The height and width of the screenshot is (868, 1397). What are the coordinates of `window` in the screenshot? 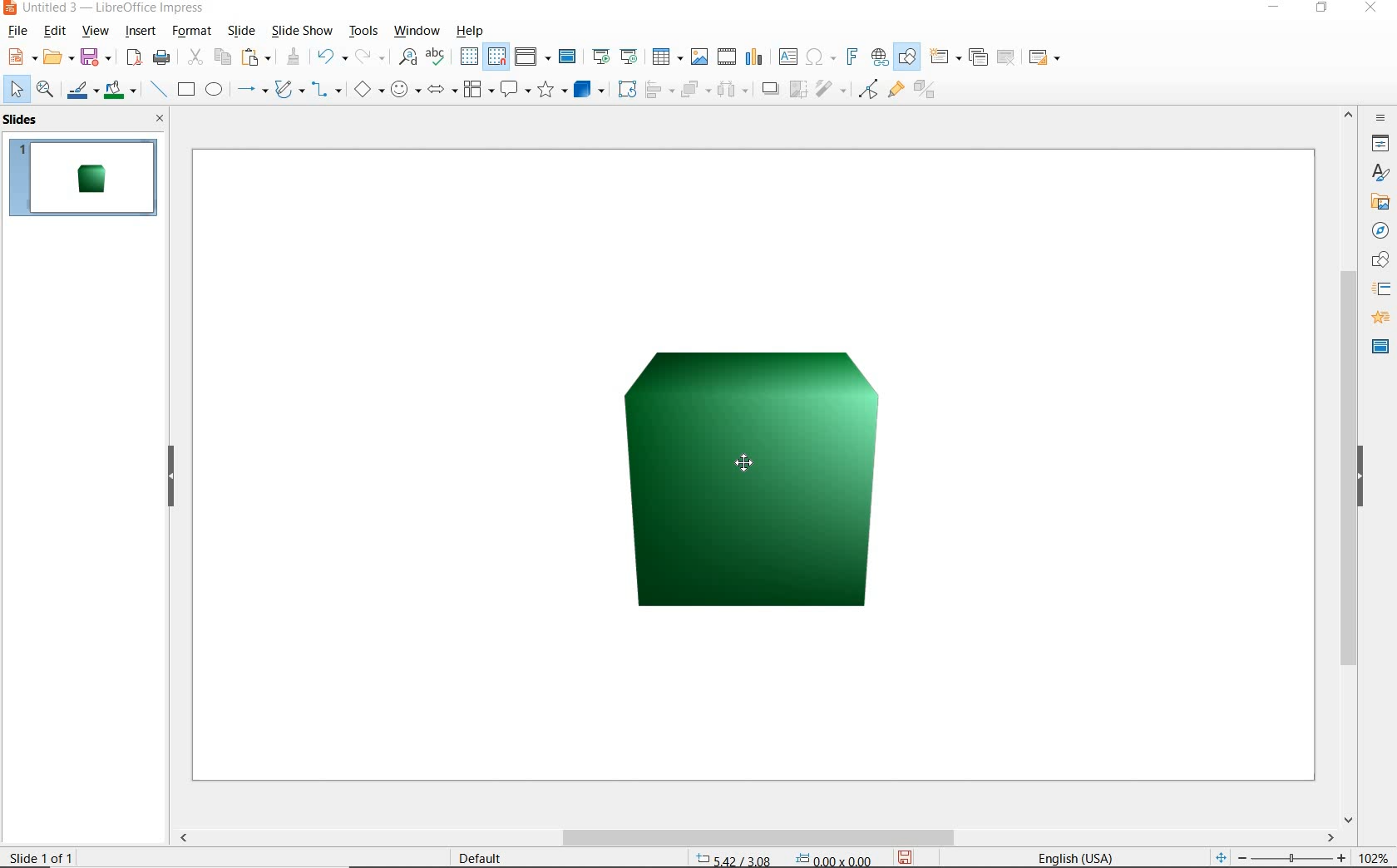 It's located at (417, 32).